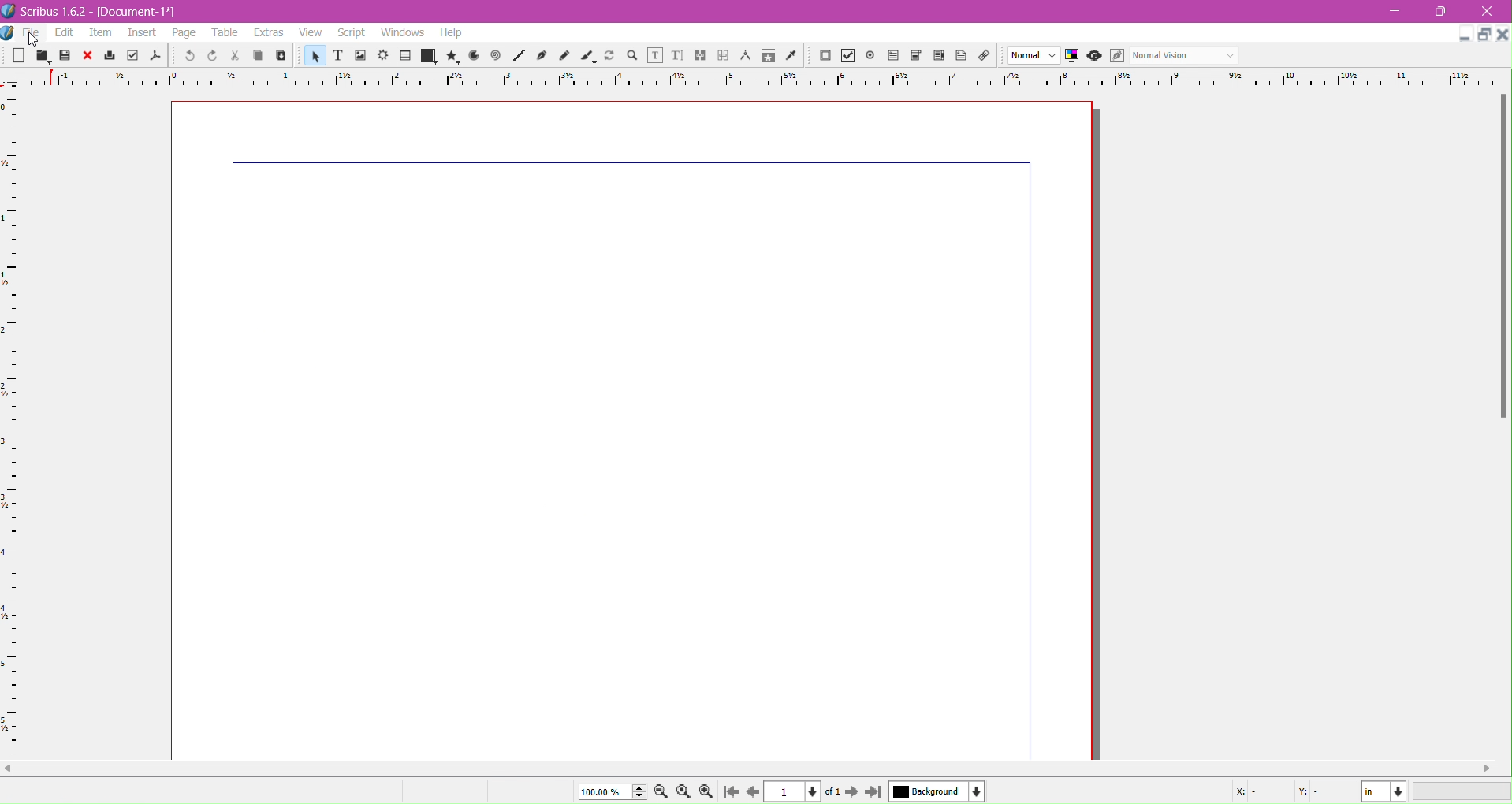 This screenshot has height=804, width=1512. What do you see at coordinates (851, 793) in the screenshot?
I see `go to next page` at bounding box center [851, 793].